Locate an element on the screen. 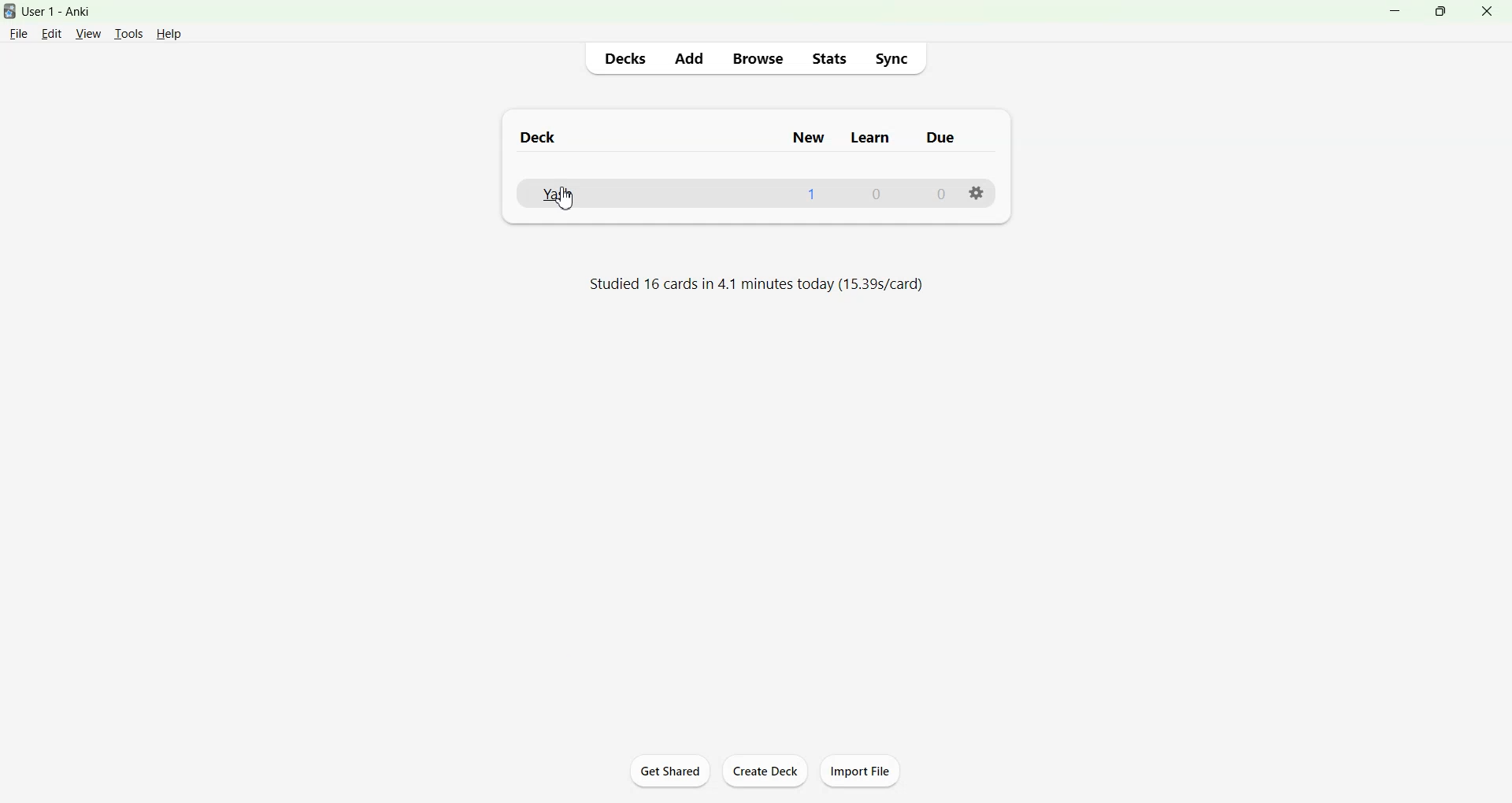  Cursor is located at coordinates (565, 198).